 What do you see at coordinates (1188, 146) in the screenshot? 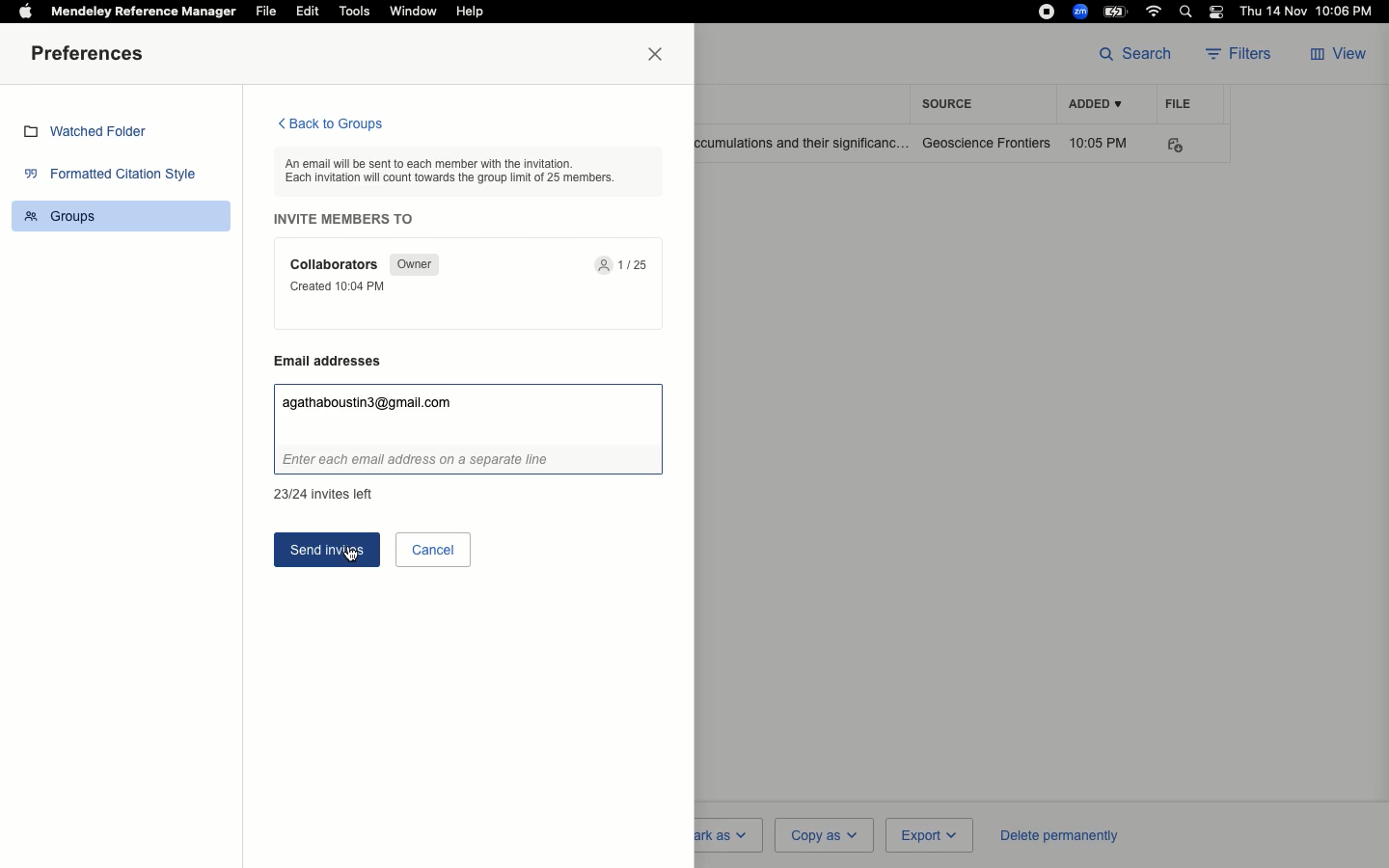
I see `PDF` at bounding box center [1188, 146].